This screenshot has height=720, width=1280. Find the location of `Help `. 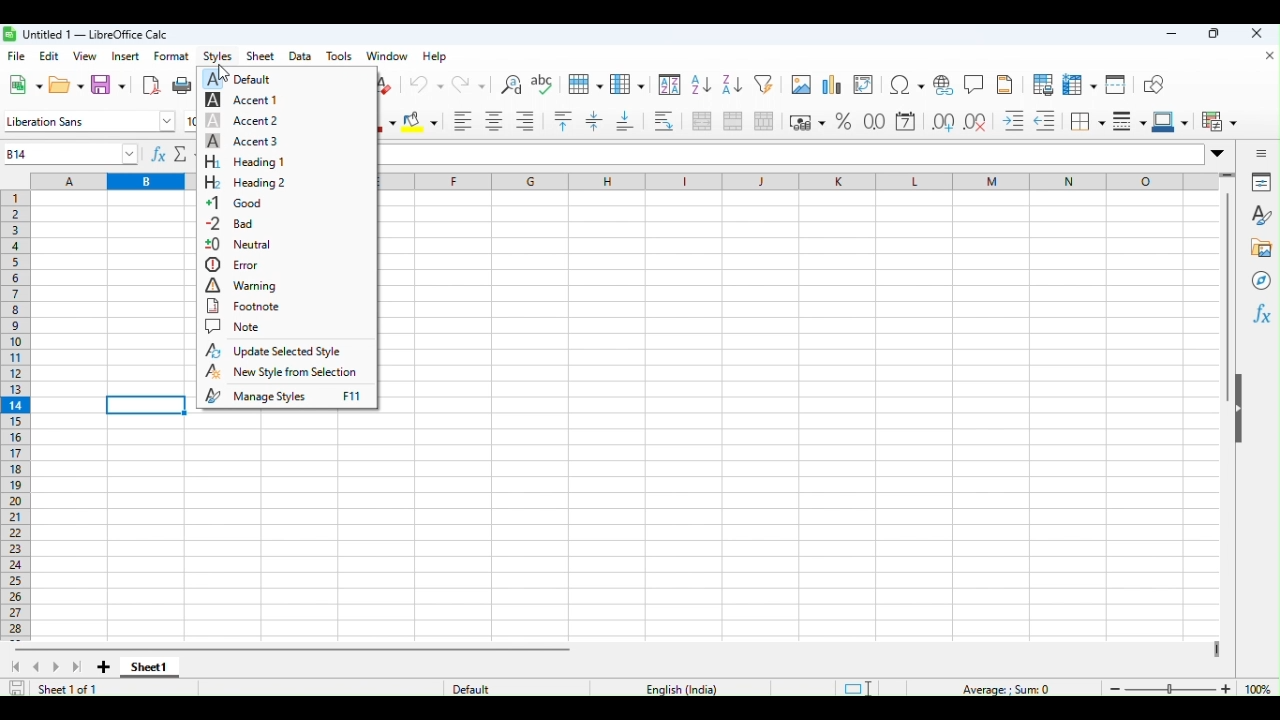

Help  is located at coordinates (433, 55).